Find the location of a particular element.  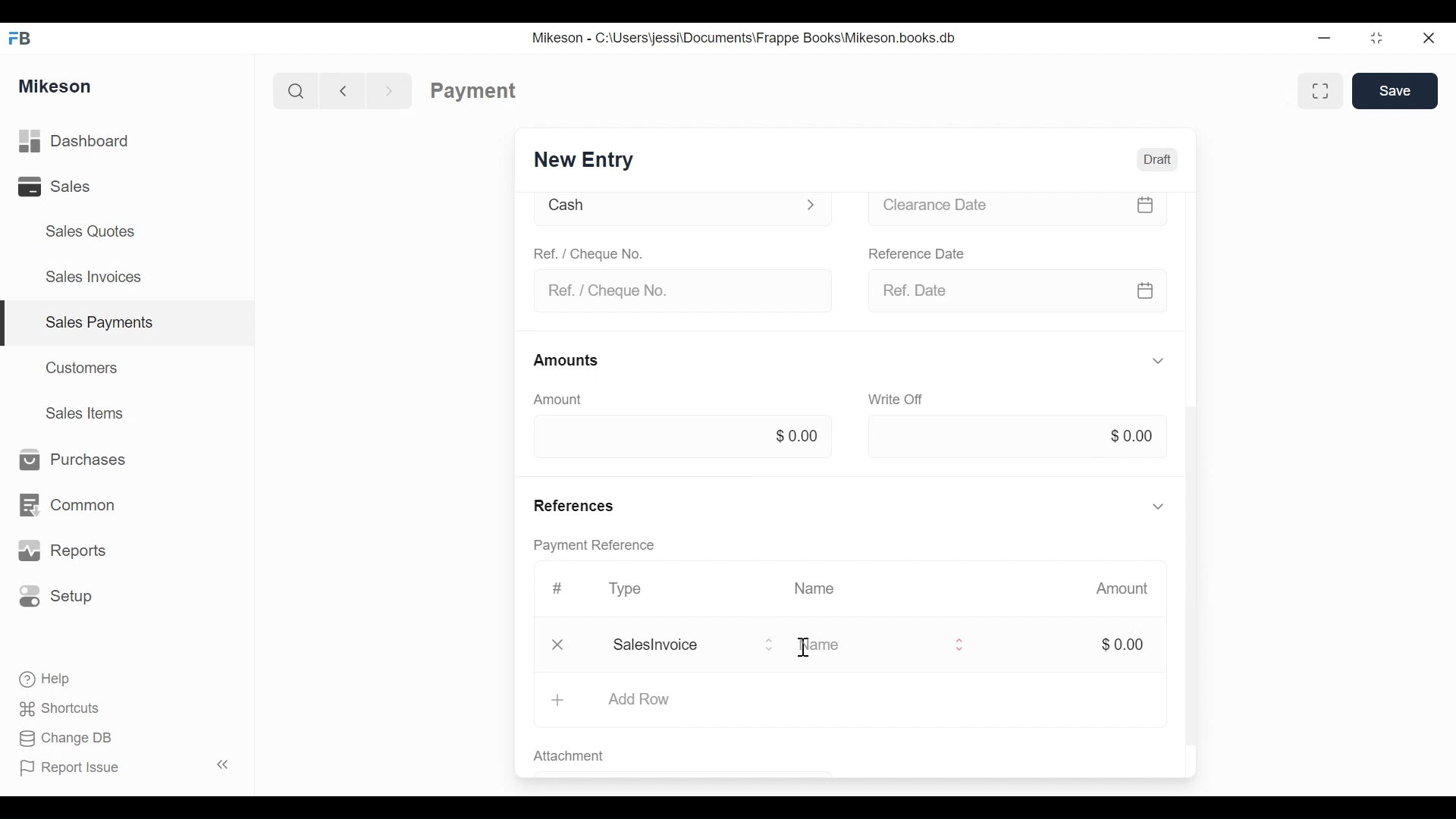

cursor is located at coordinates (805, 650).